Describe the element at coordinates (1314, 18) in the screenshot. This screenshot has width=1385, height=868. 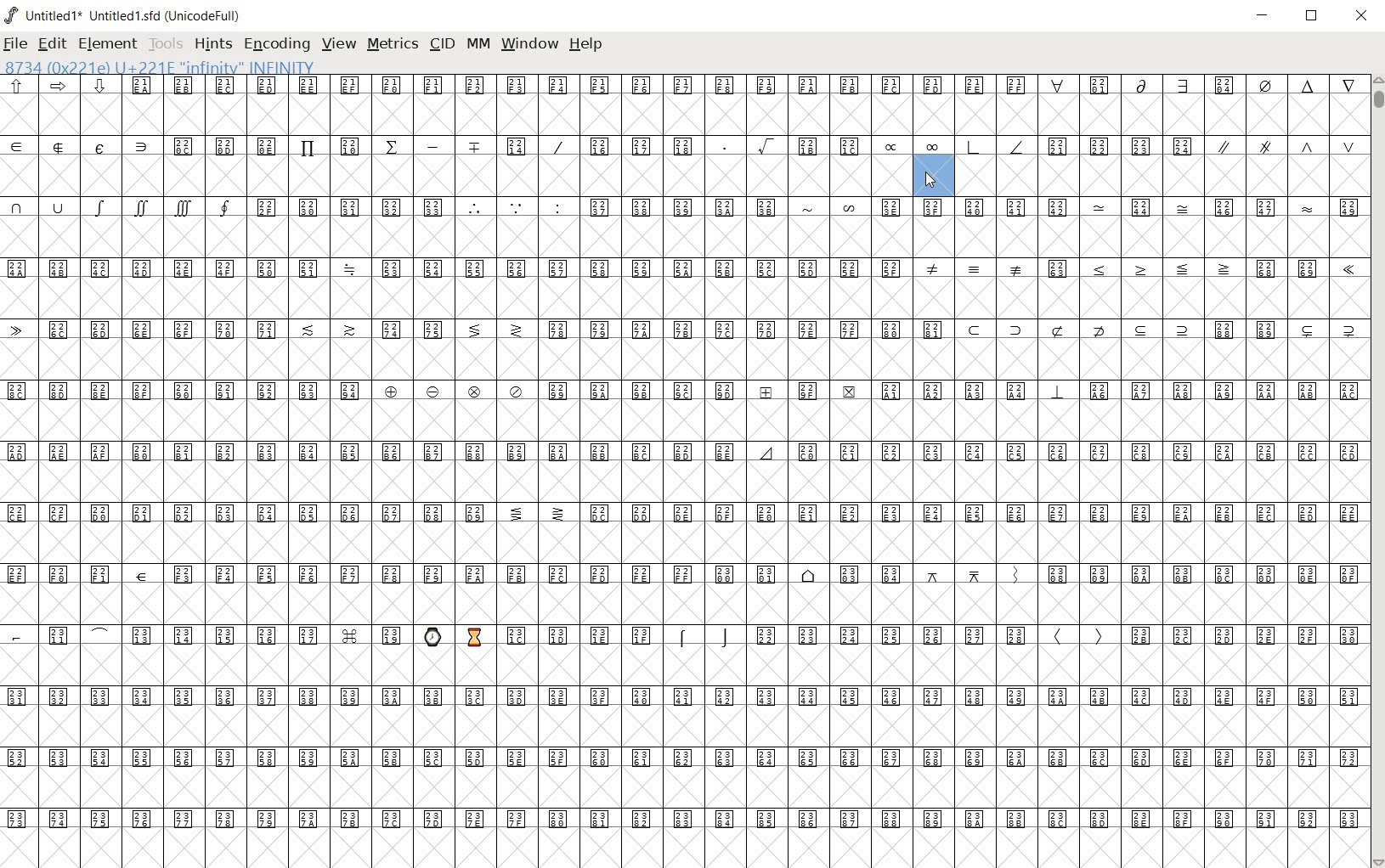
I see `restore down` at that location.